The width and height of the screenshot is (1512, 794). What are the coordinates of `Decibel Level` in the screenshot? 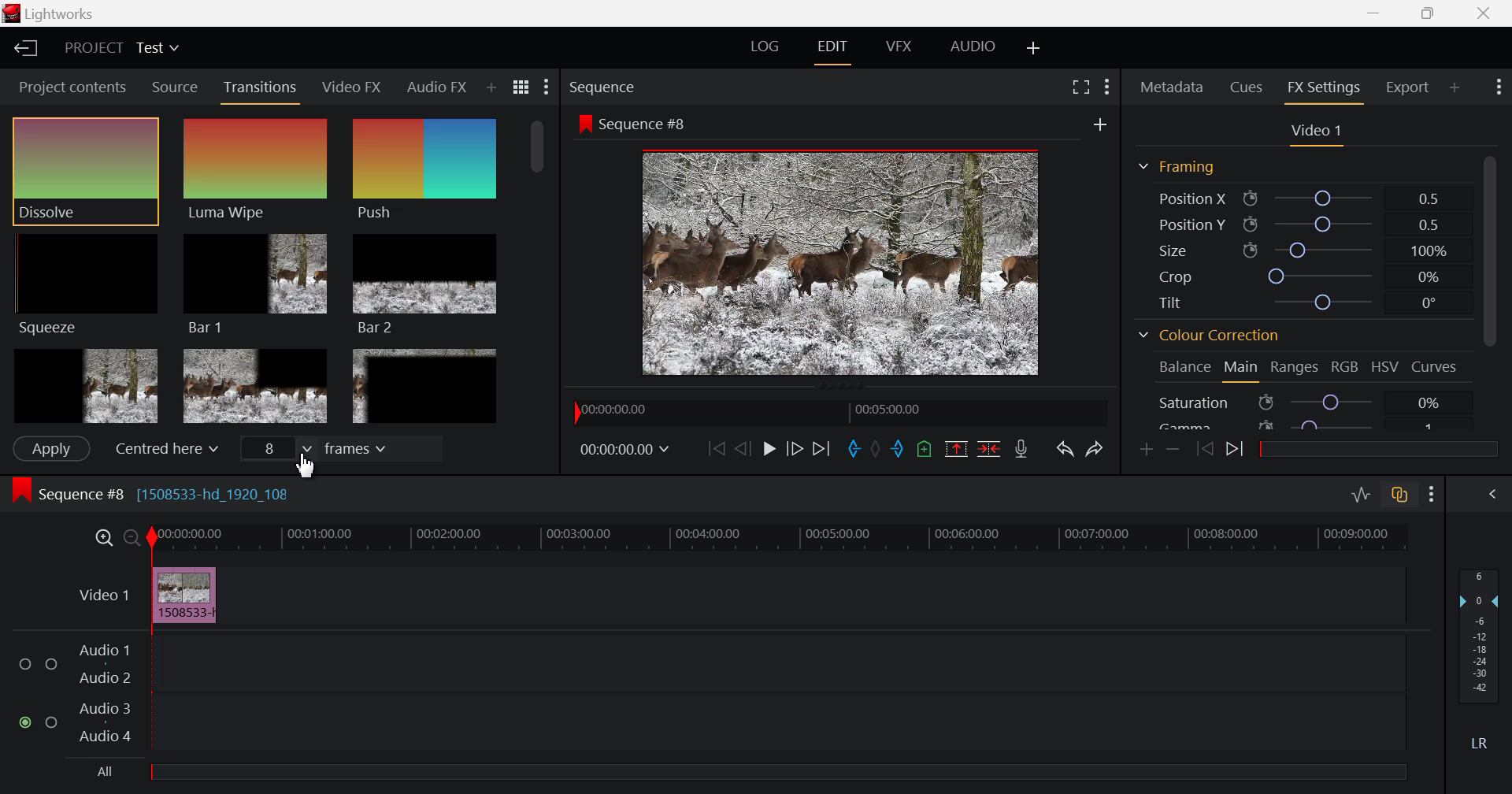 It's located at (1480, 655).